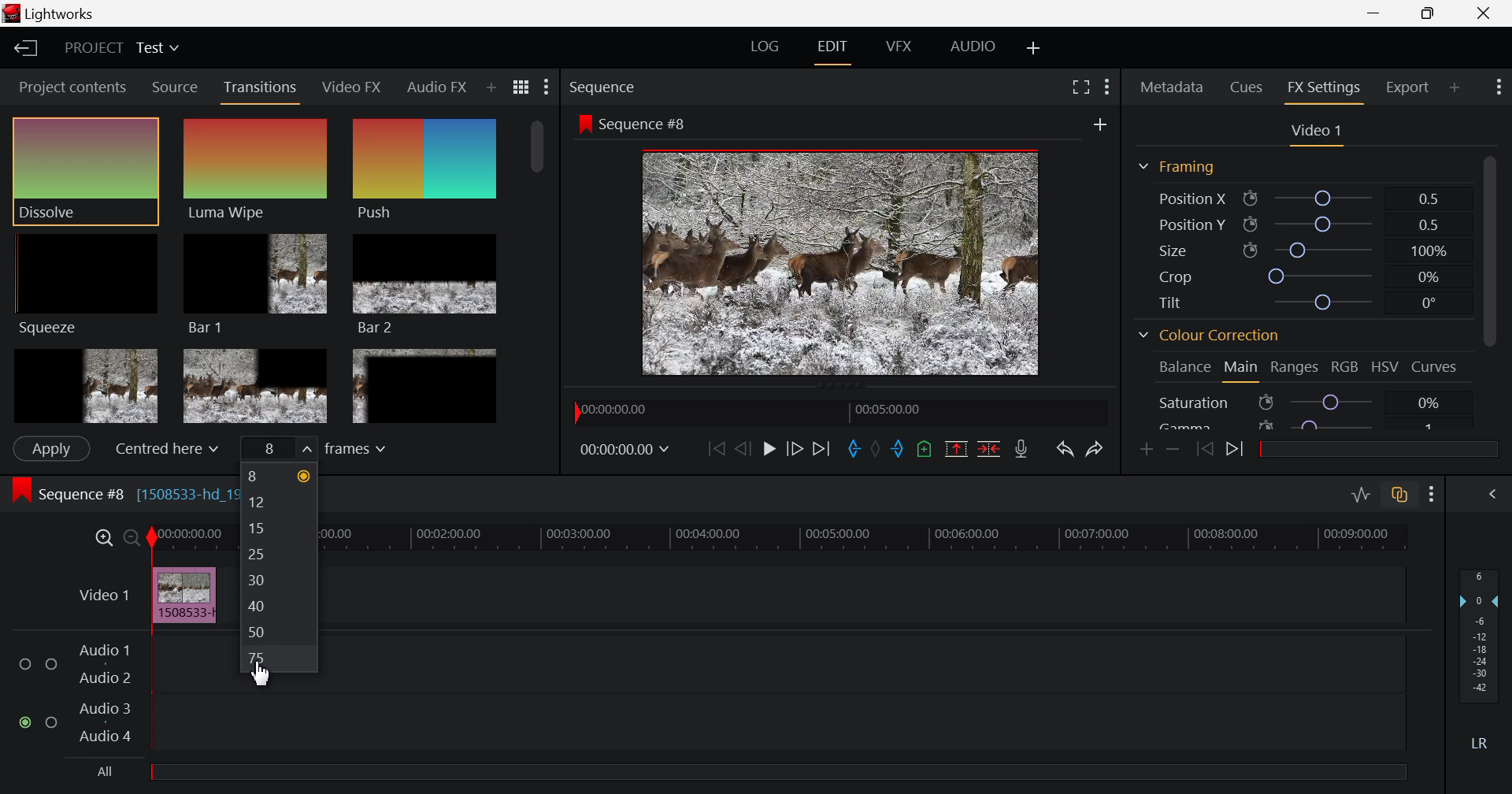 This screenshot has height=794, width=1512. What do you see at coordinates (836, 414) in the screenshot?
I see `Project Timeline Navigator` at bounding box center [836, 414].